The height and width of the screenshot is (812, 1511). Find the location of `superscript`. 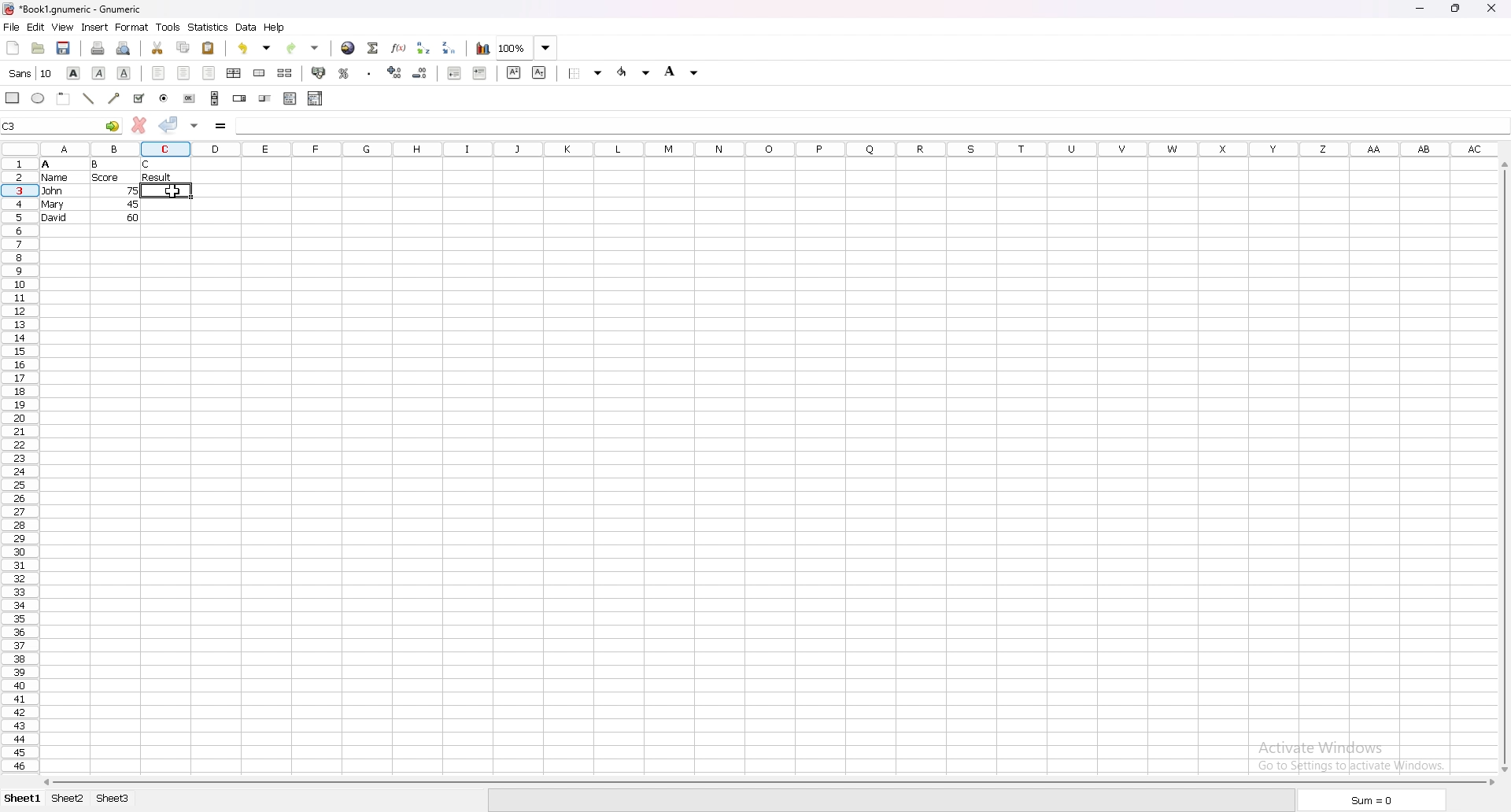

superscript is located at coordinates (514, 72).